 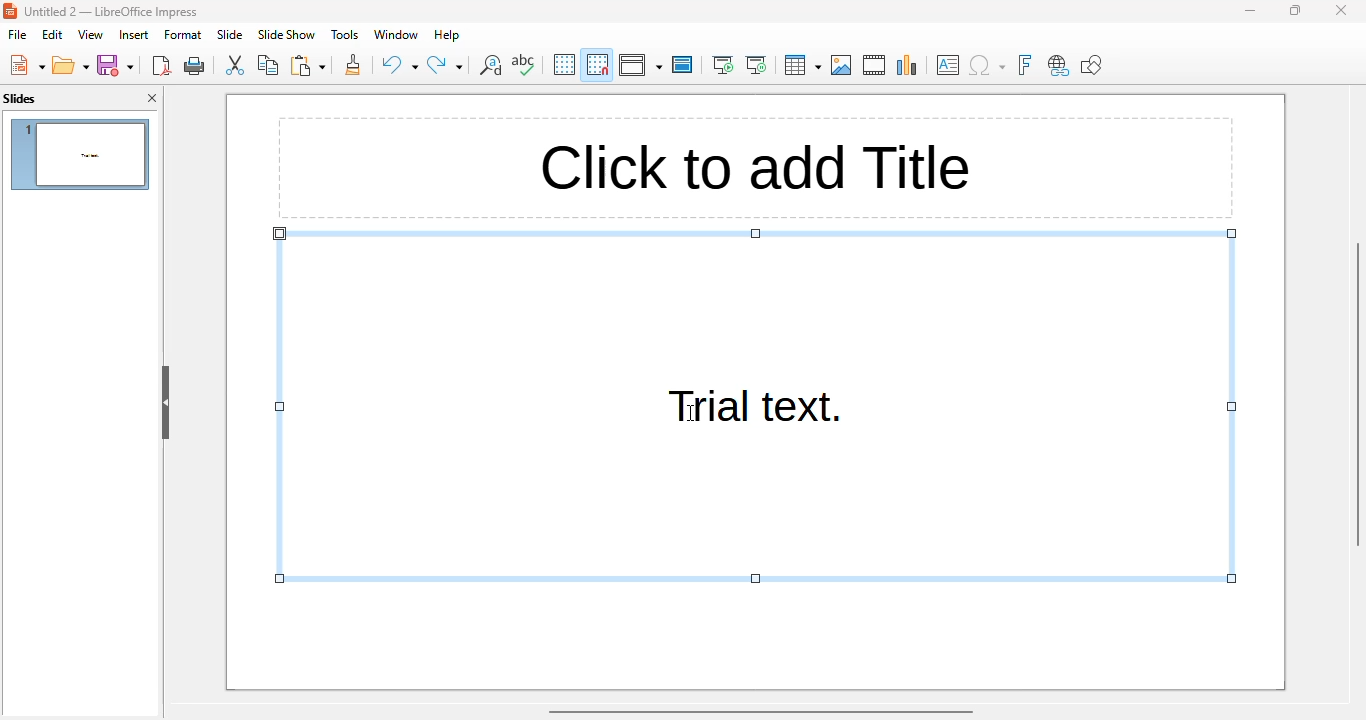 I want to click on maximize, so click(x=1297, y=10).